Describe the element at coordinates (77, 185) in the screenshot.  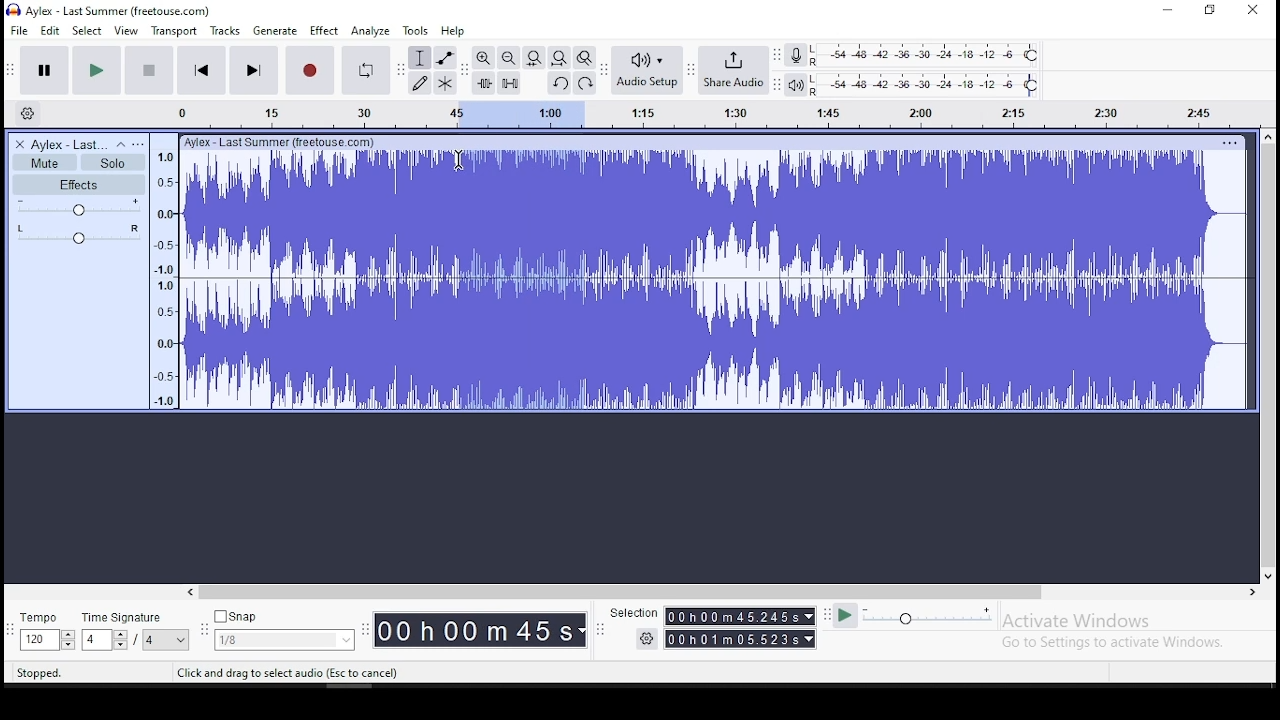
I see `effects` at that location.